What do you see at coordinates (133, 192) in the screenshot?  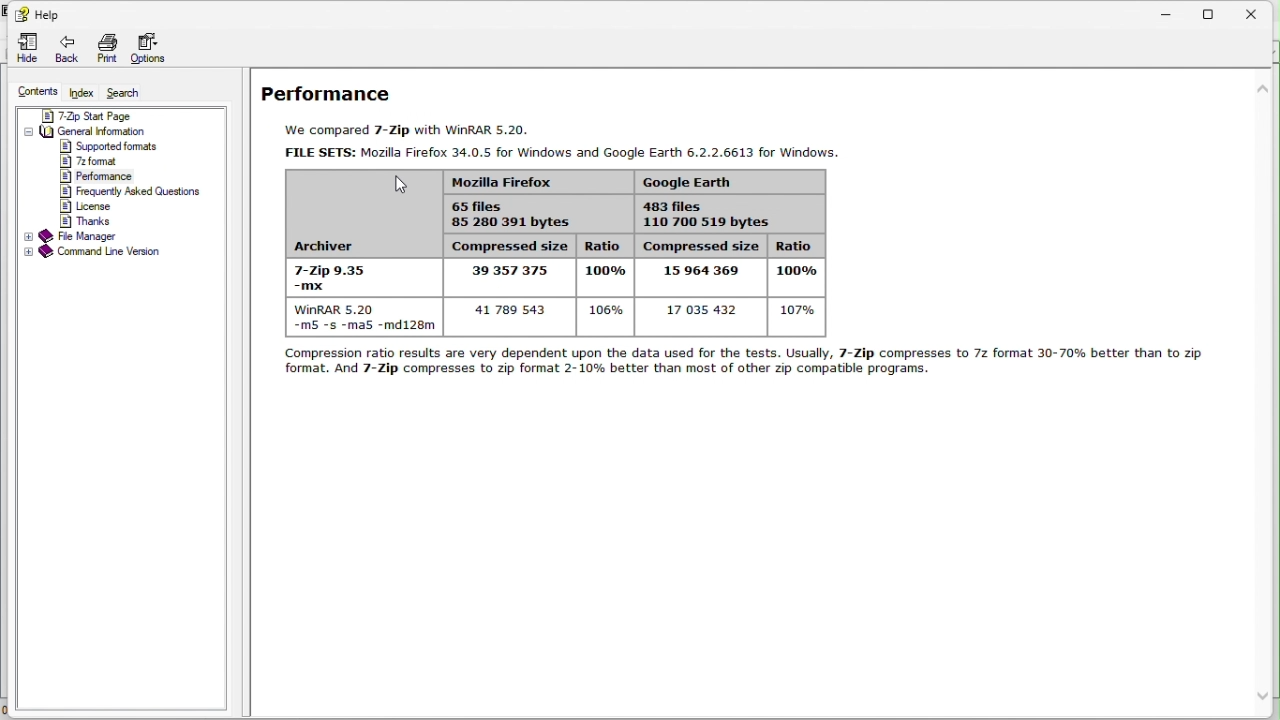 I see `Frequently asked questions` at bounding box center [133, 192].